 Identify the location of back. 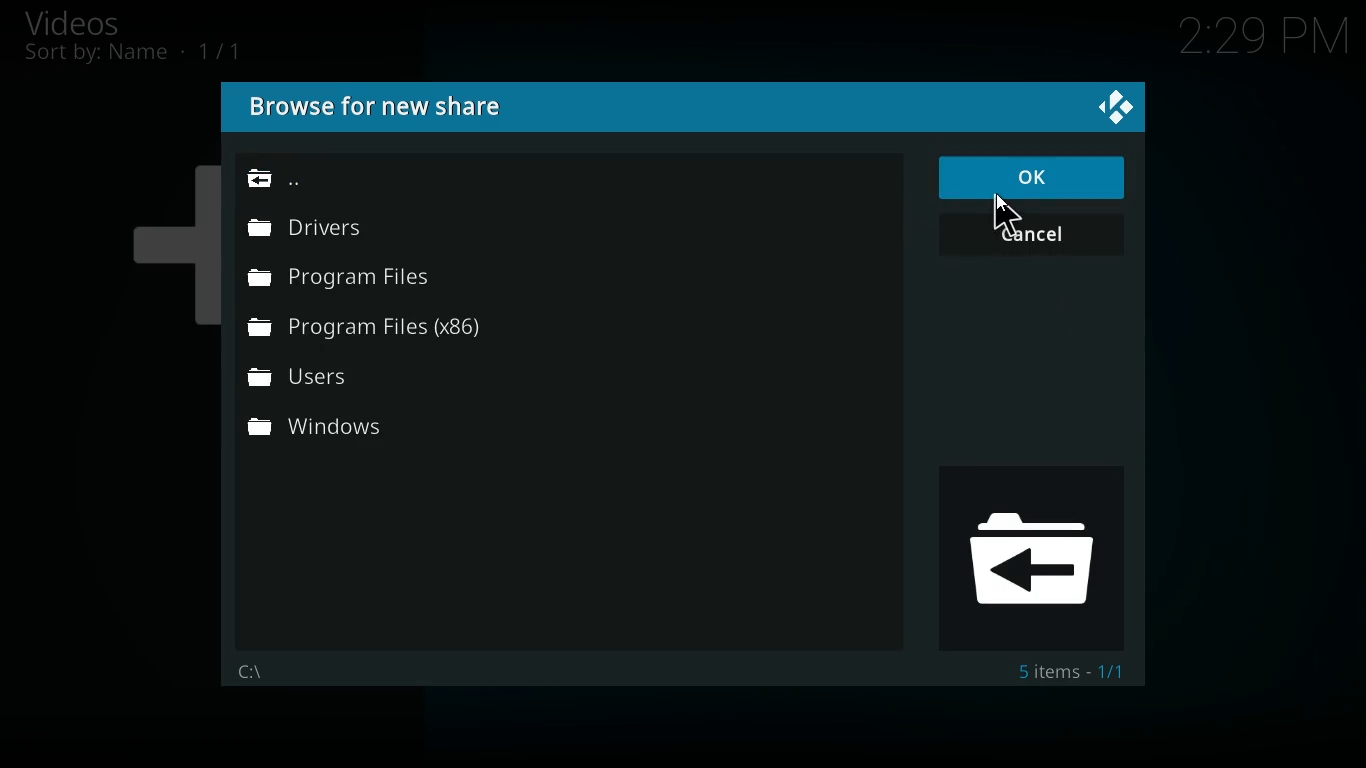
(280, 174).